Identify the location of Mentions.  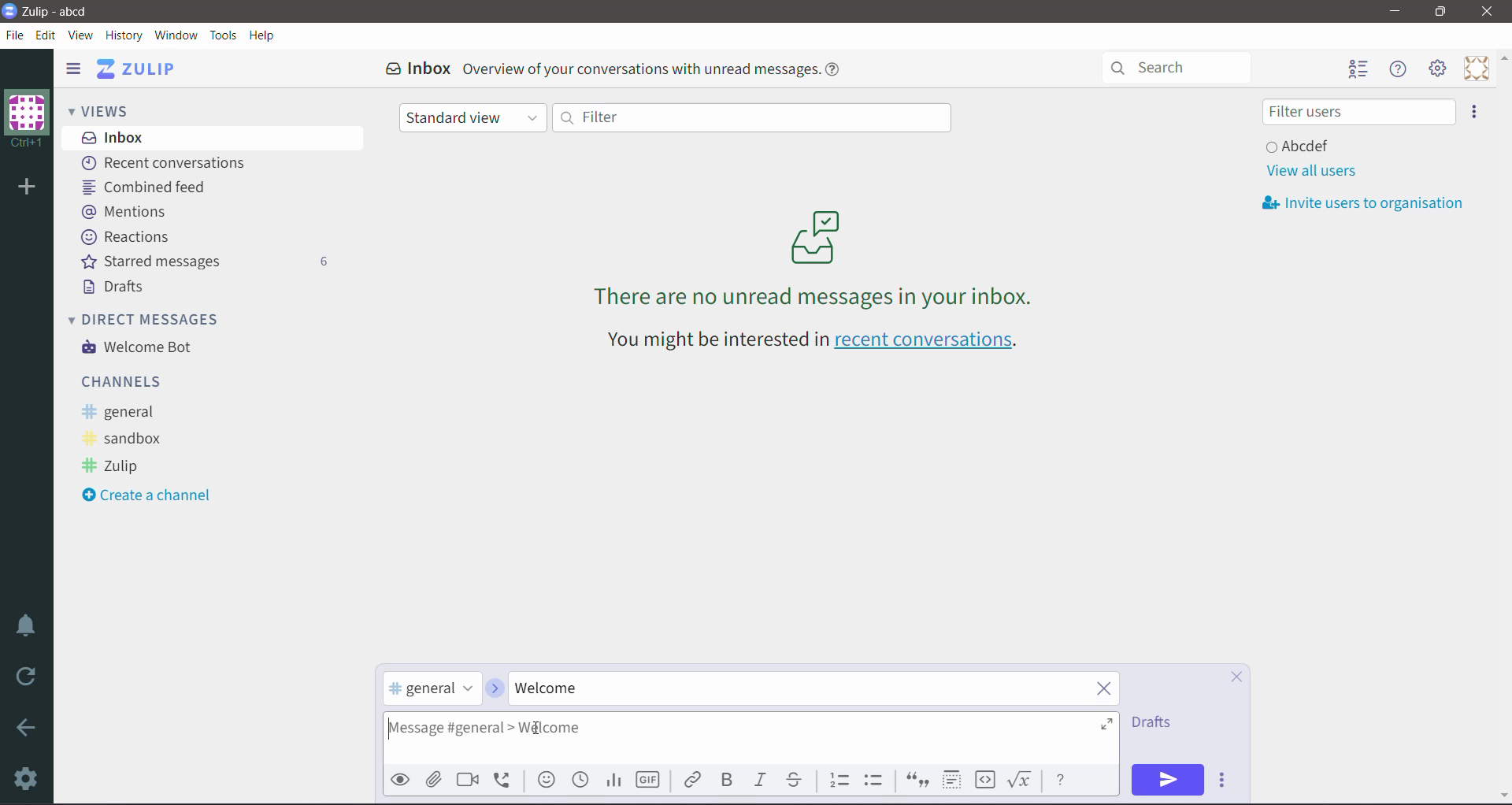
(124, 210).